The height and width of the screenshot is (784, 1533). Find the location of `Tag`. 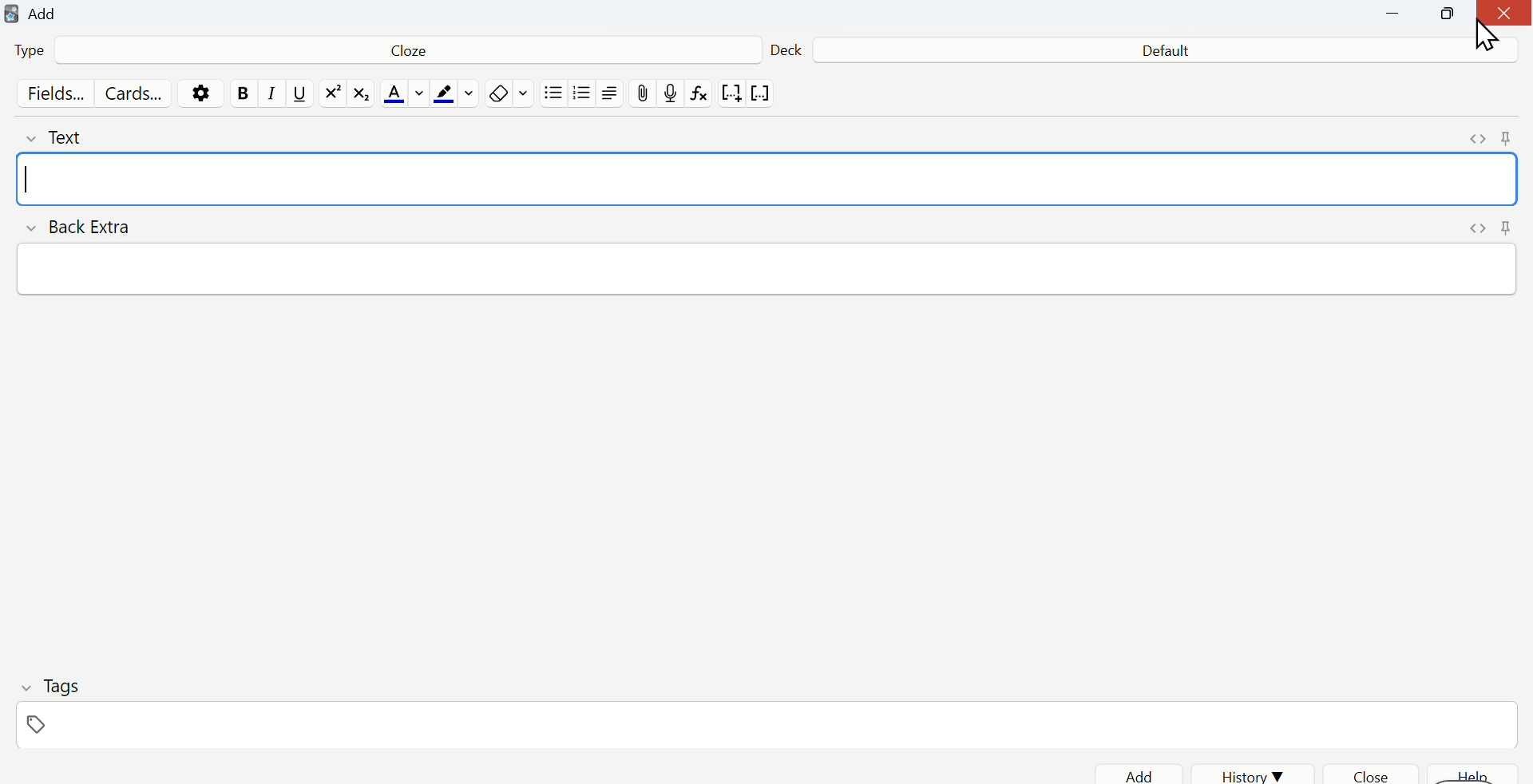

Tag is located at coordinates (33, 726).